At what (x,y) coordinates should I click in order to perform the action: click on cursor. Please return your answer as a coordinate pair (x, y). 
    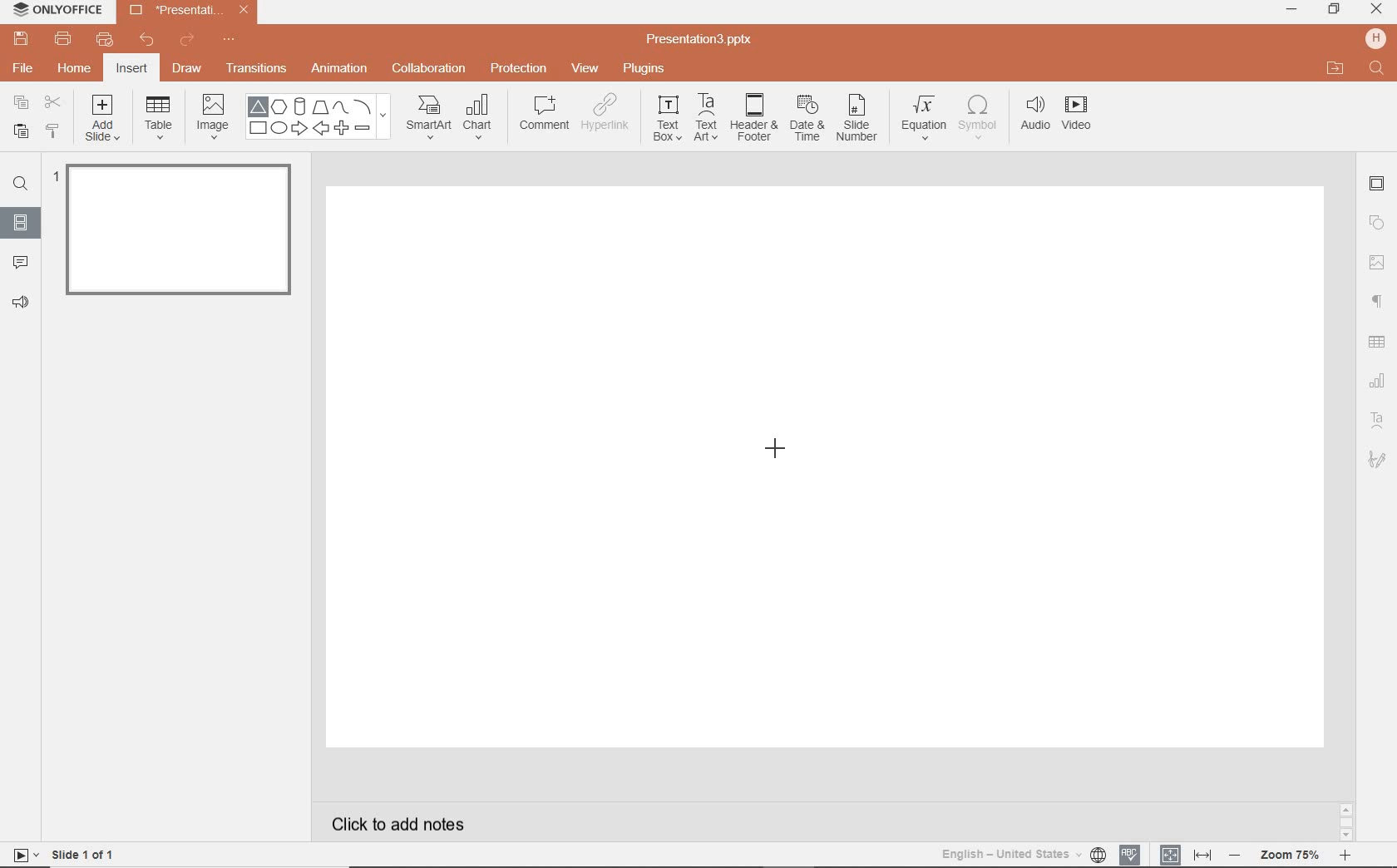
    Looking at the image, I should click on (779, 454).